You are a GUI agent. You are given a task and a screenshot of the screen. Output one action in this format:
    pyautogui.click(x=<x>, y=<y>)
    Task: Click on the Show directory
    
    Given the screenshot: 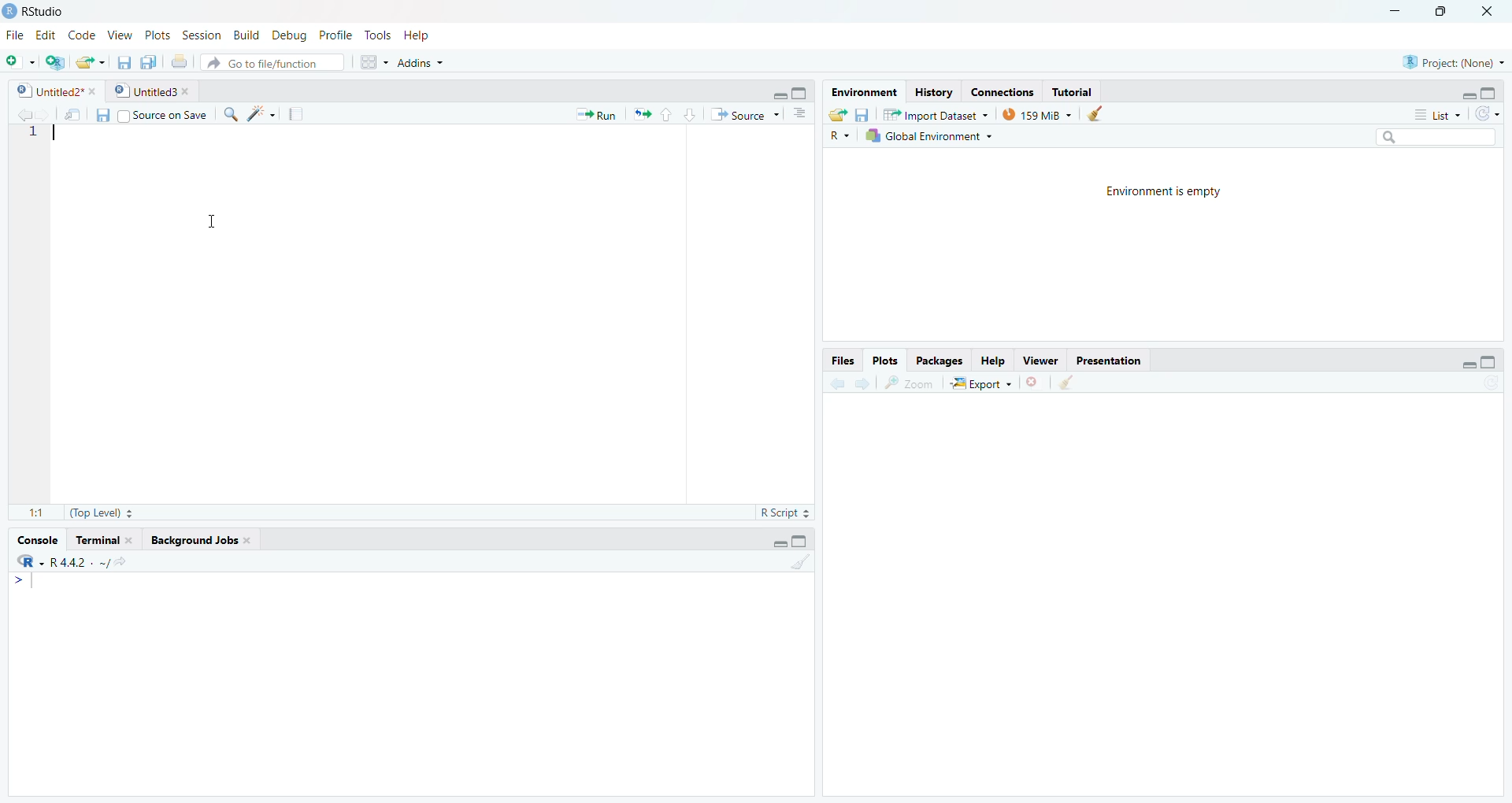 What is the action you would take?
    pyautogui.click(x=120, y=563)
    